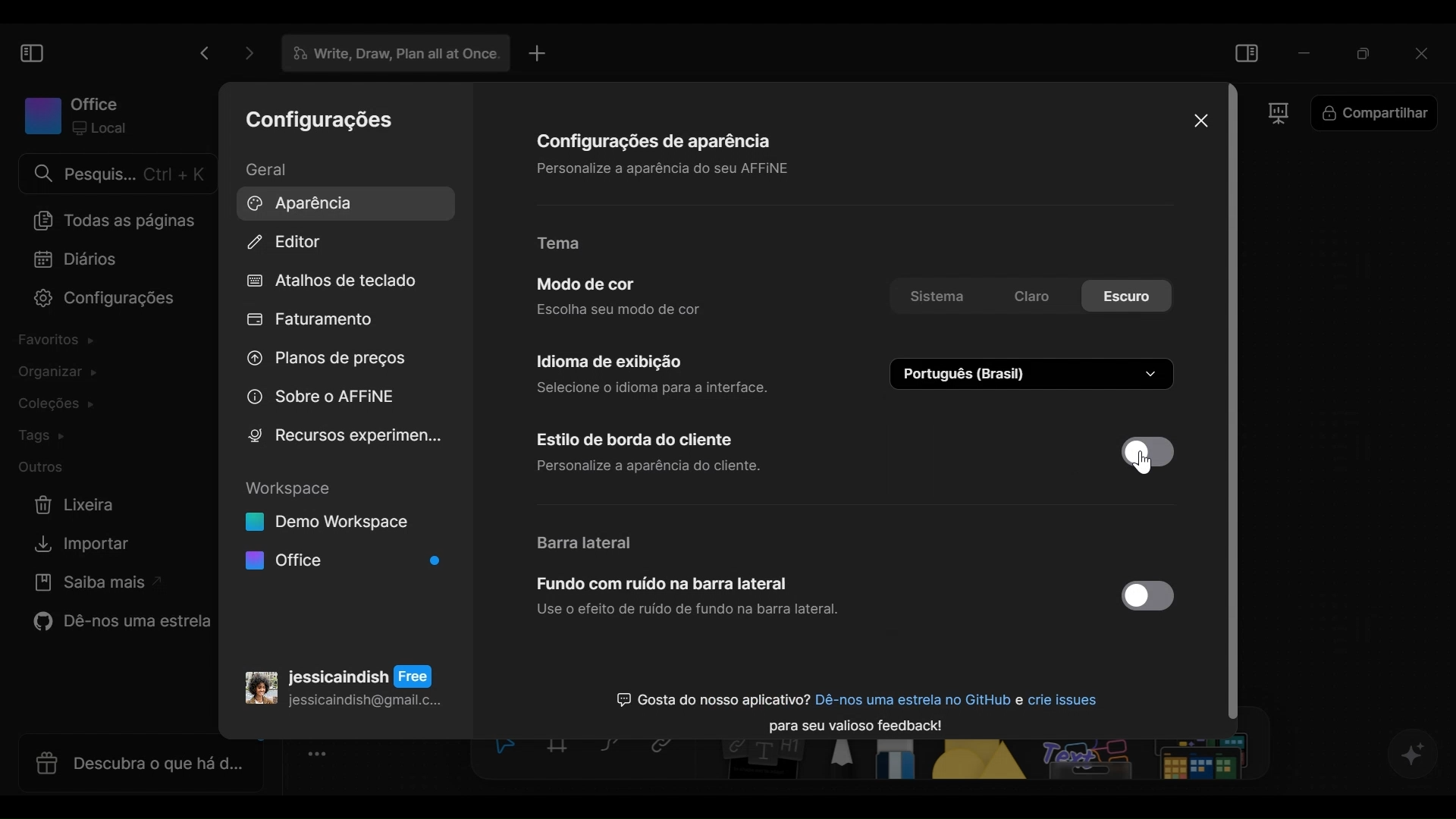  I want to click on scroll, so click(1238, 405).